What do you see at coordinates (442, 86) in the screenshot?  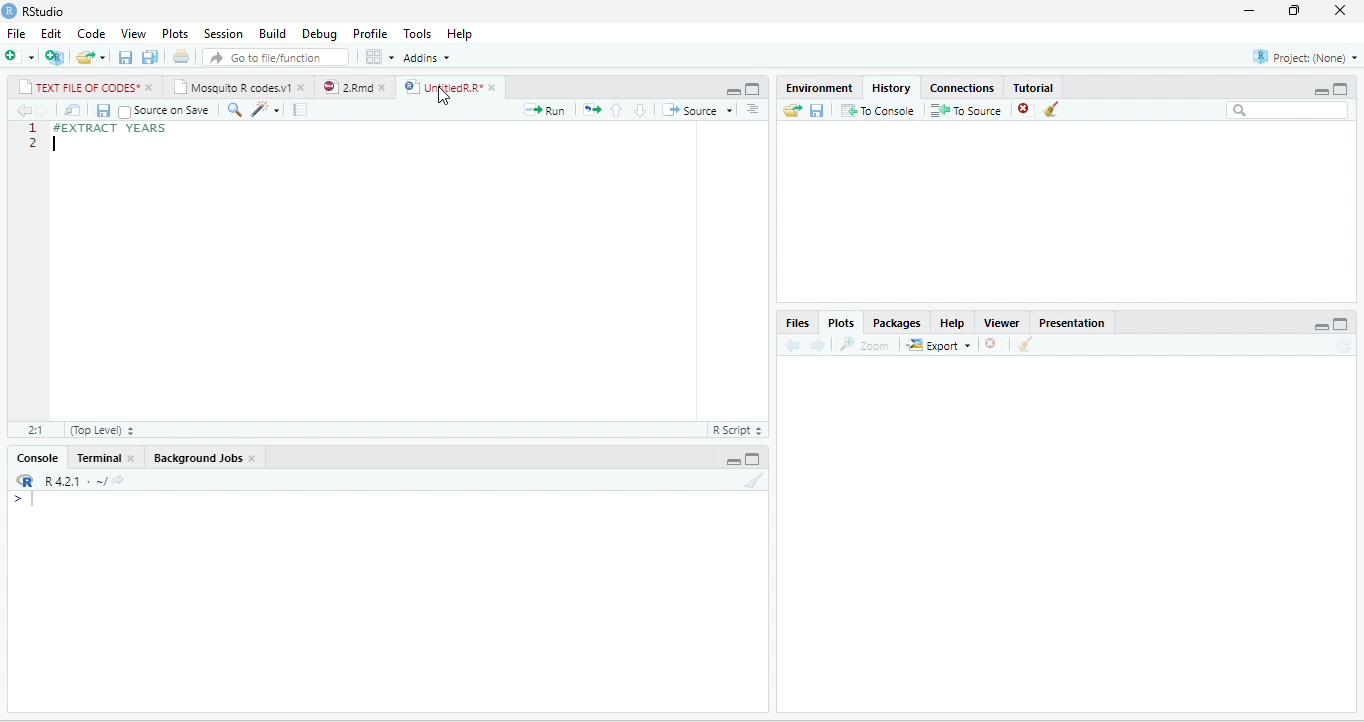 I see `UntitledR.R` at bounding box center [442, 86].